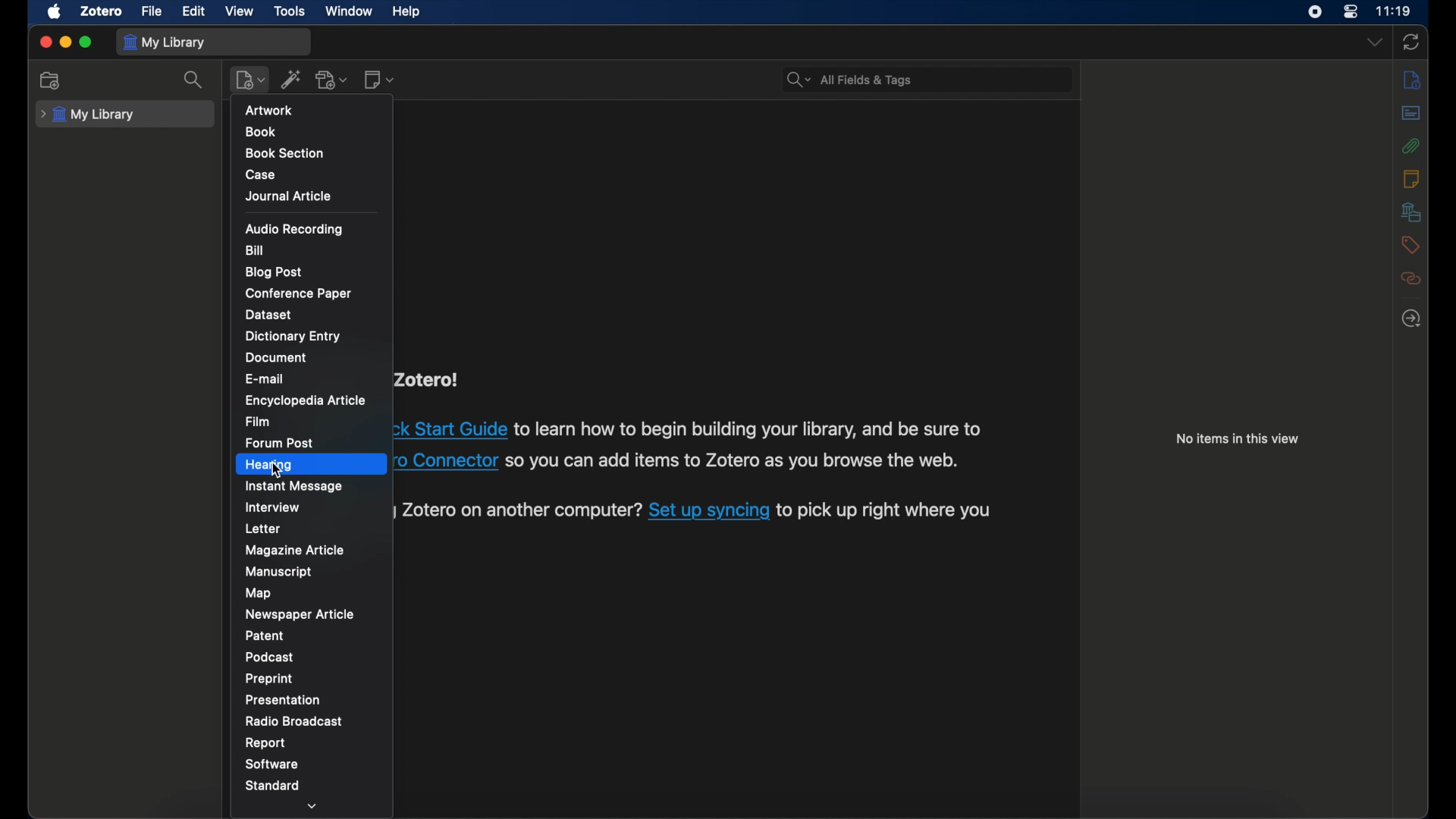 The image size is (1456, 819). What do you see at coordinates (263, 529) in the screenshot?
I see `letter` at bounding box center [263, 529].